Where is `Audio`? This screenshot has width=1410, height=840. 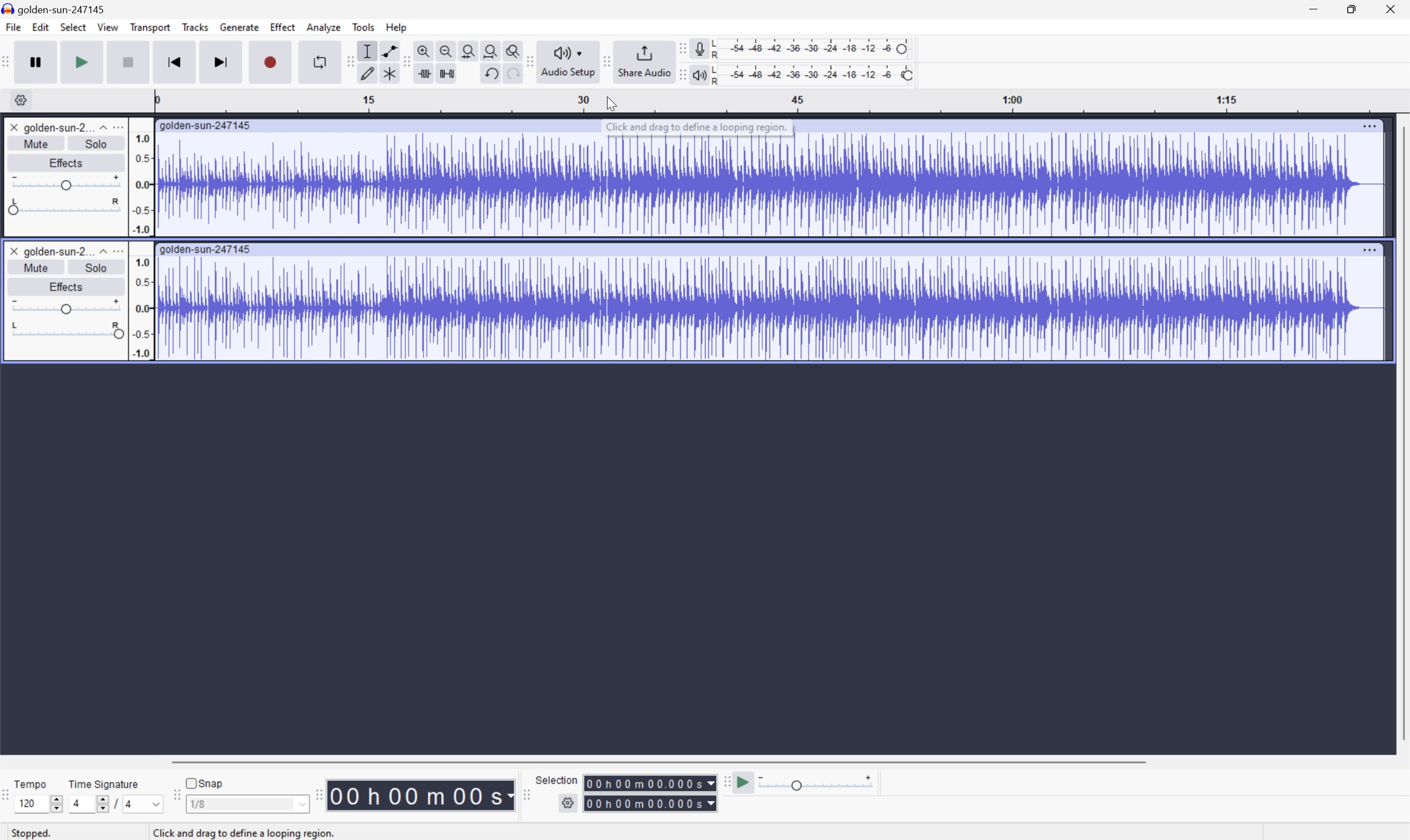
Audio is located at coordinates (772, 185).